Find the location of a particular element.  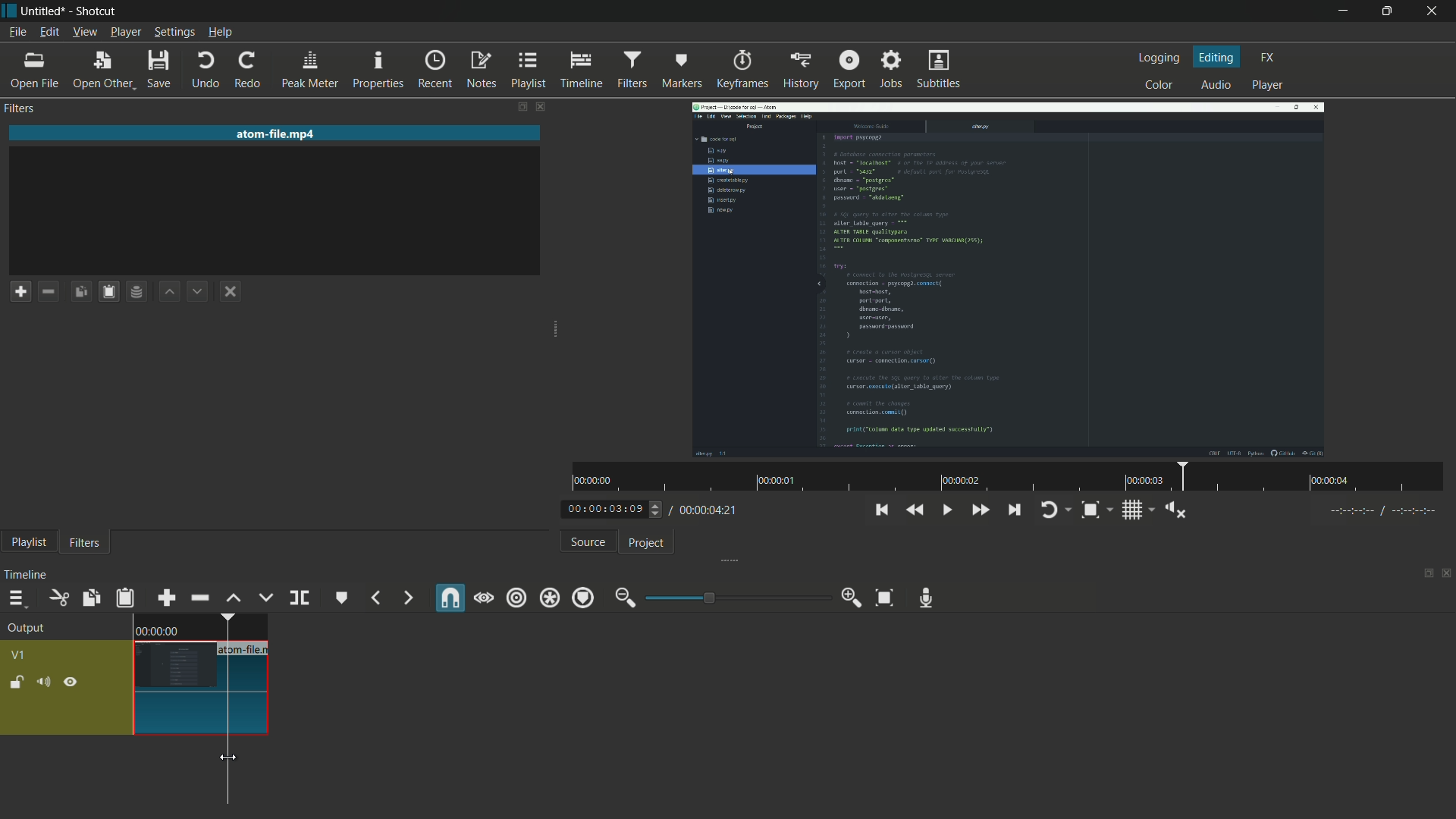

move filter up is located at coordinates (171, 291).